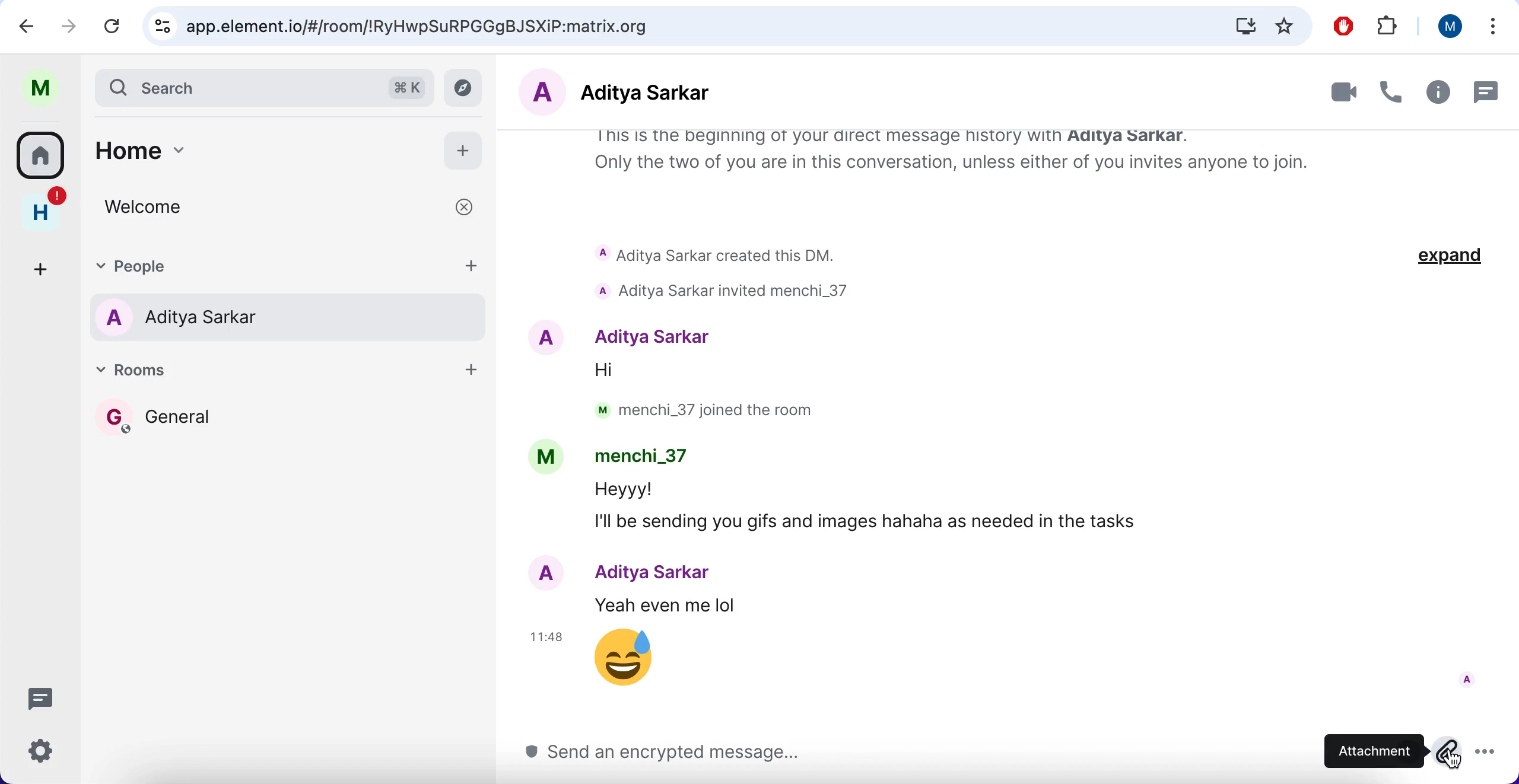 The width and height of the screenshot is (1519, 784). Describe the element at coordinates (463, 88) in the screenshot. I see `explore rooms` at that location.